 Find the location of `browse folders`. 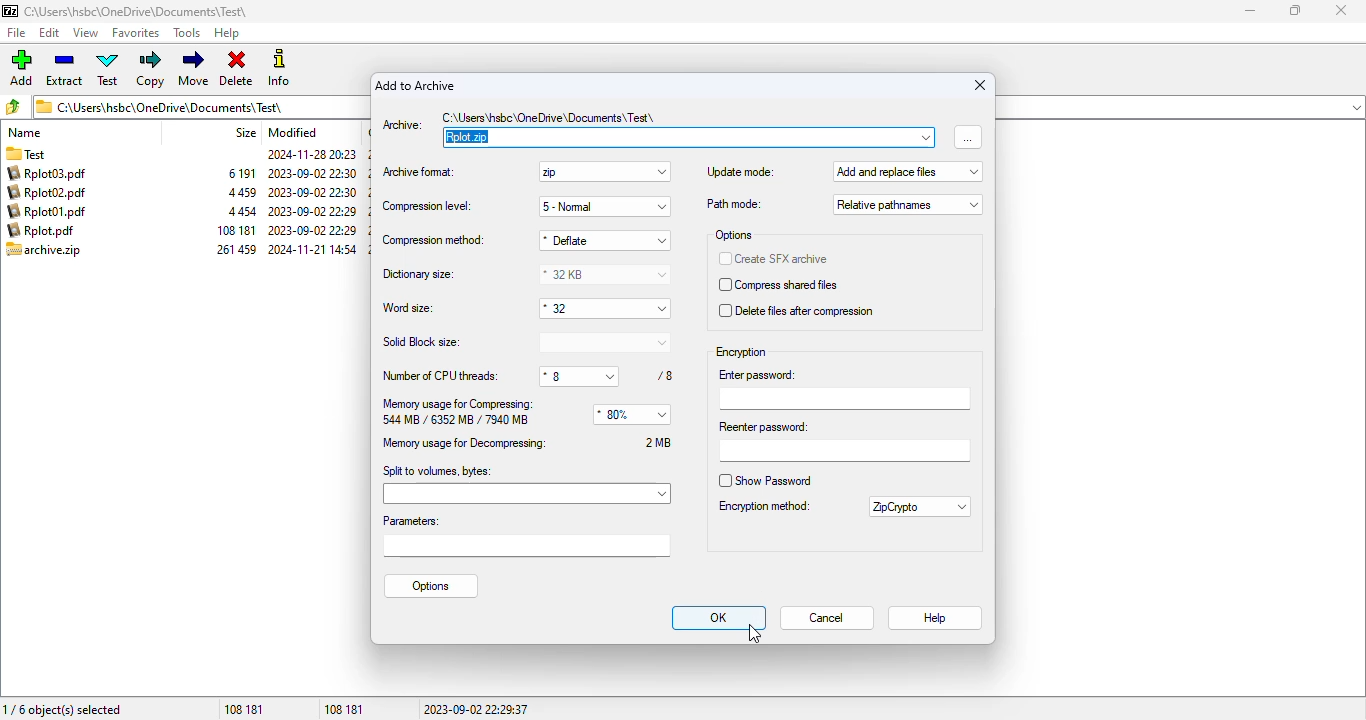

browse folders is located at coordinates (13, 106).